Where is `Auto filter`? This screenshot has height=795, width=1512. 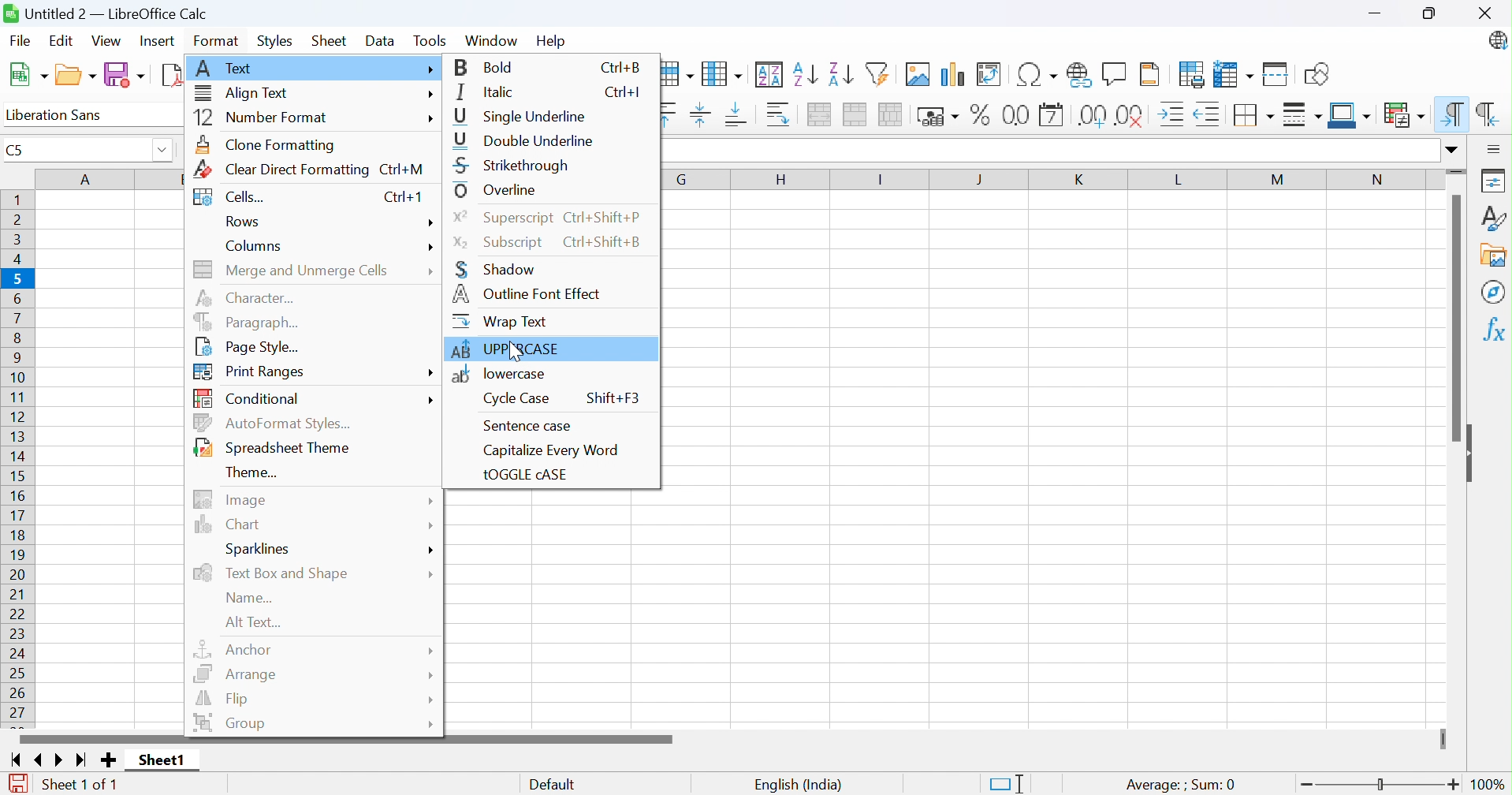
Auto filter is located at coordinates (880, 73).